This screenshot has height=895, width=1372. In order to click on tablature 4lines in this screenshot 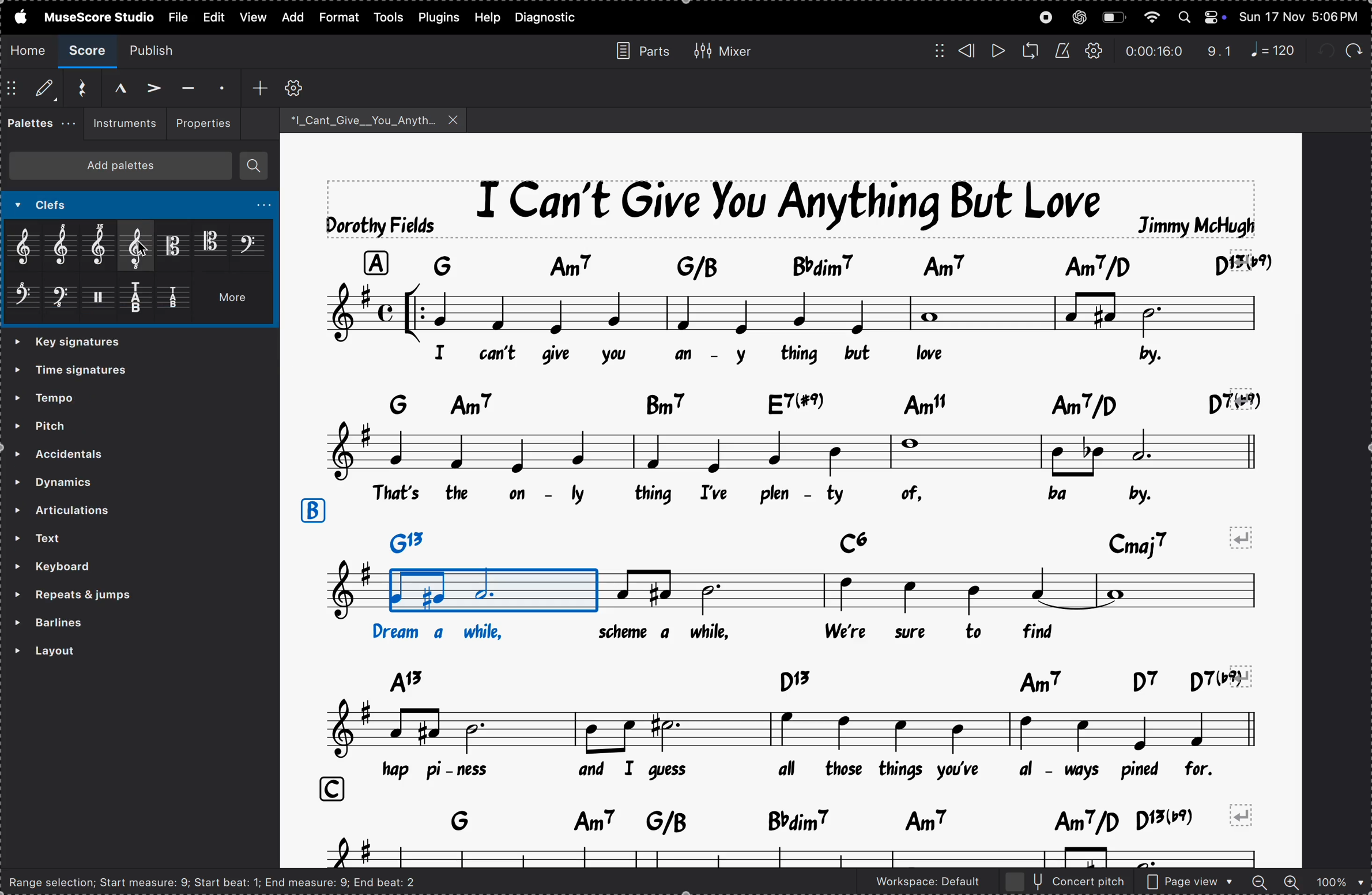, I will do `click(178, 300)`.